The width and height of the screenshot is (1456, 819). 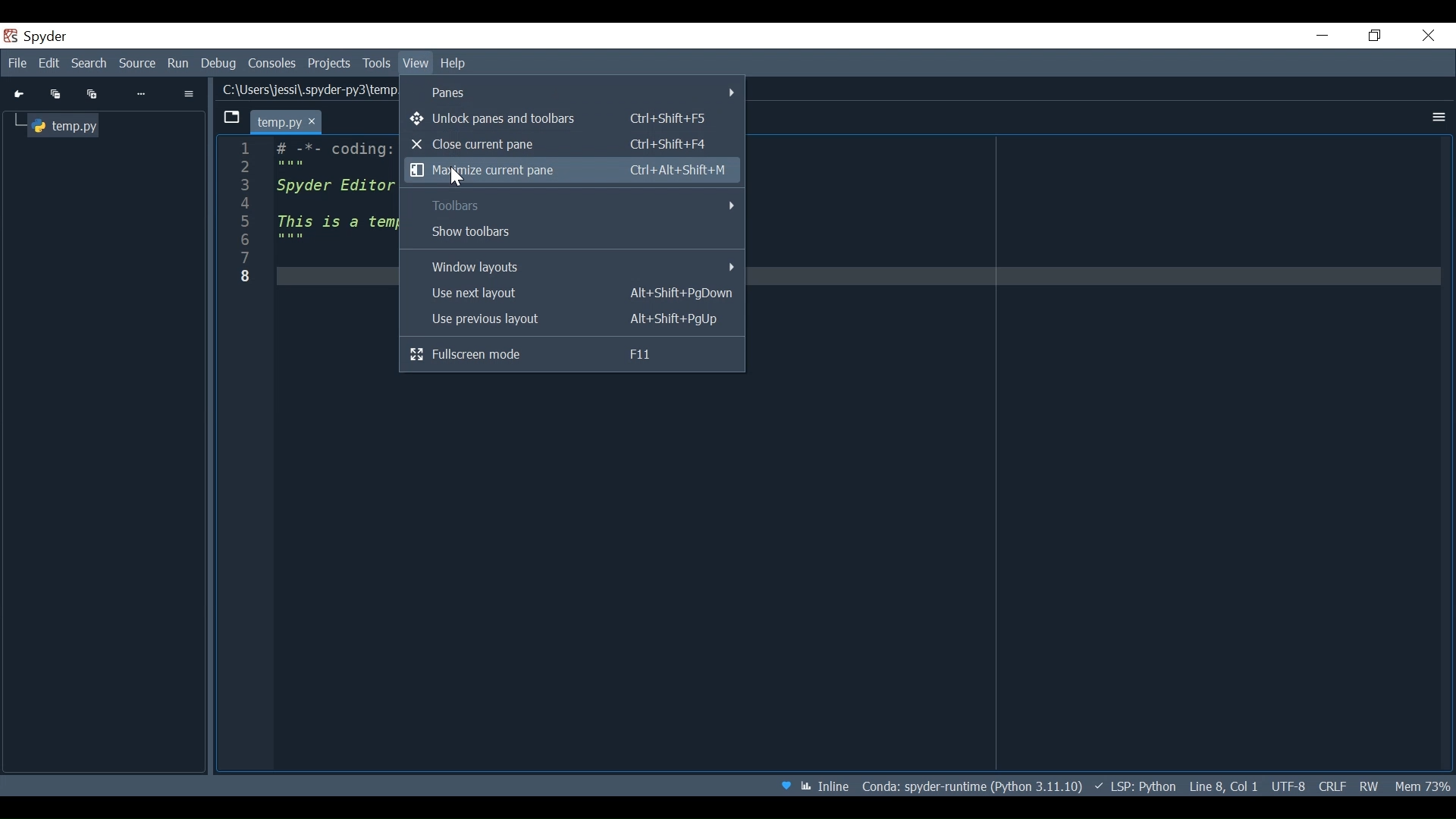 I want to click on Fullscreen mode, so click(x=573, y=354).